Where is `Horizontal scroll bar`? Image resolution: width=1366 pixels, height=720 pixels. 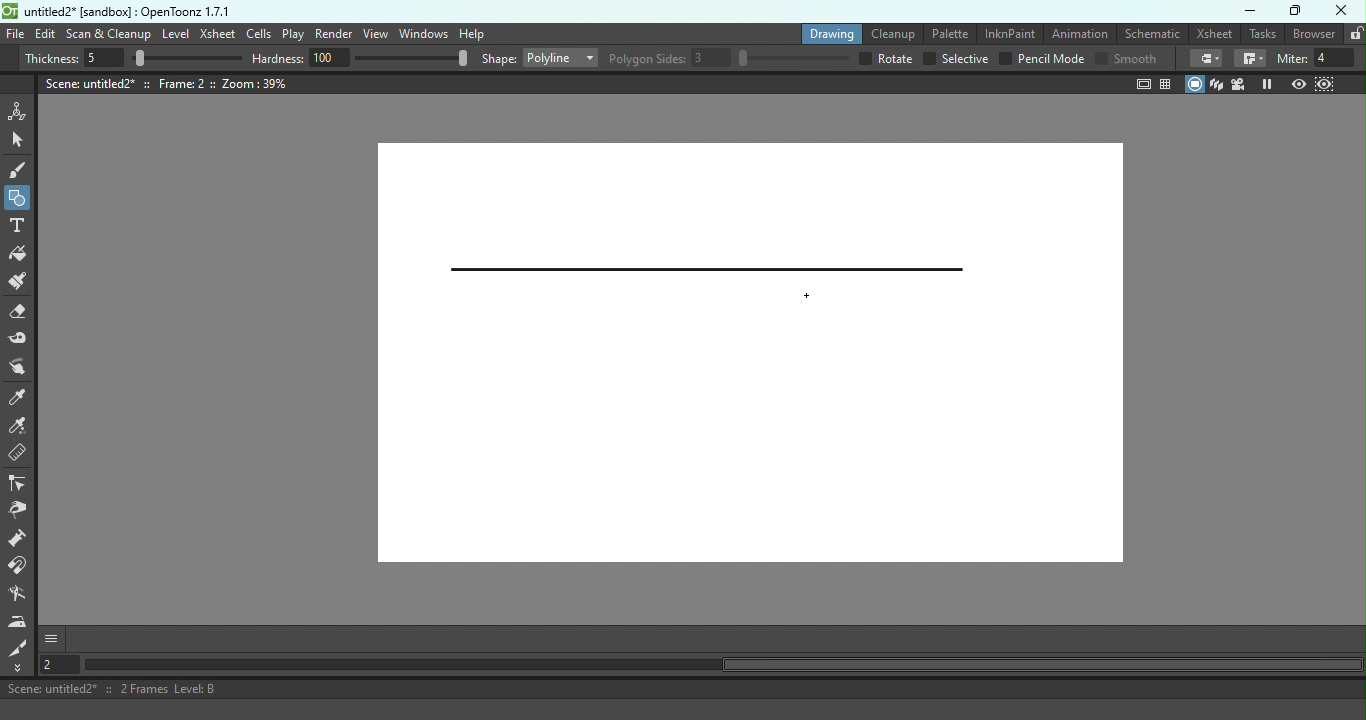
Horizontal scroll bar is located at coordinates (722, 665).